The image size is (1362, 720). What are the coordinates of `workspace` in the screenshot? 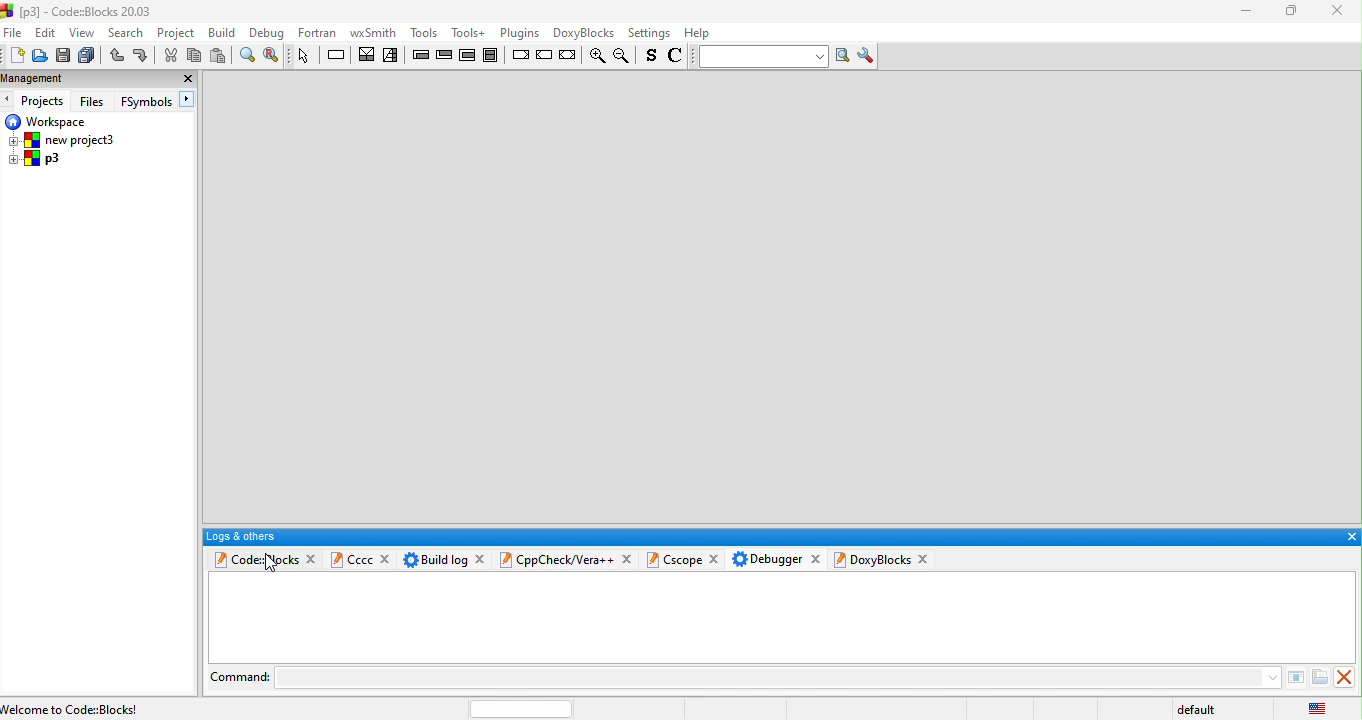 It's located at (48, 121).